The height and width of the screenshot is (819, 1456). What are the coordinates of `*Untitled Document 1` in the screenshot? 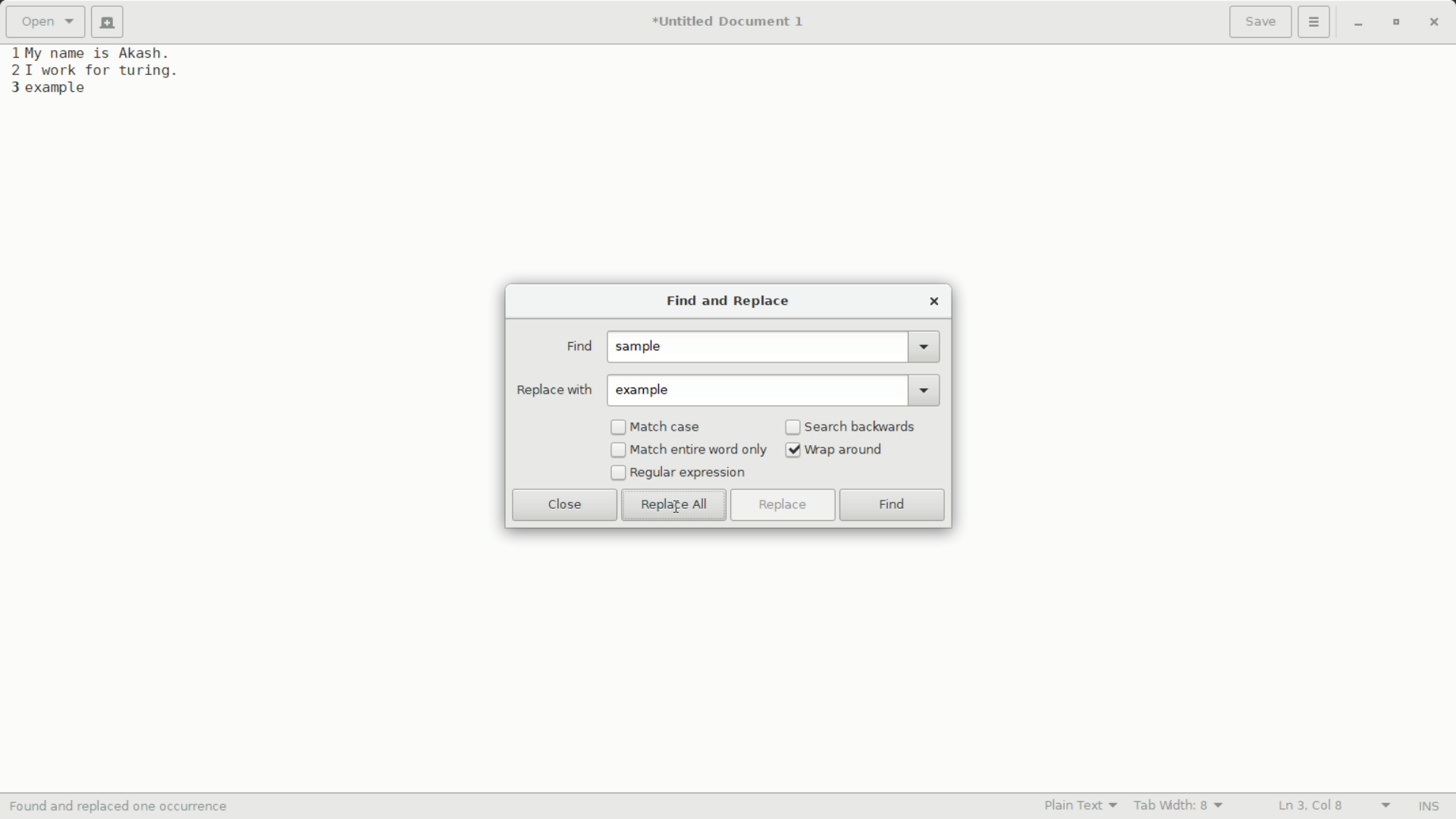 It's located at (728, 24).